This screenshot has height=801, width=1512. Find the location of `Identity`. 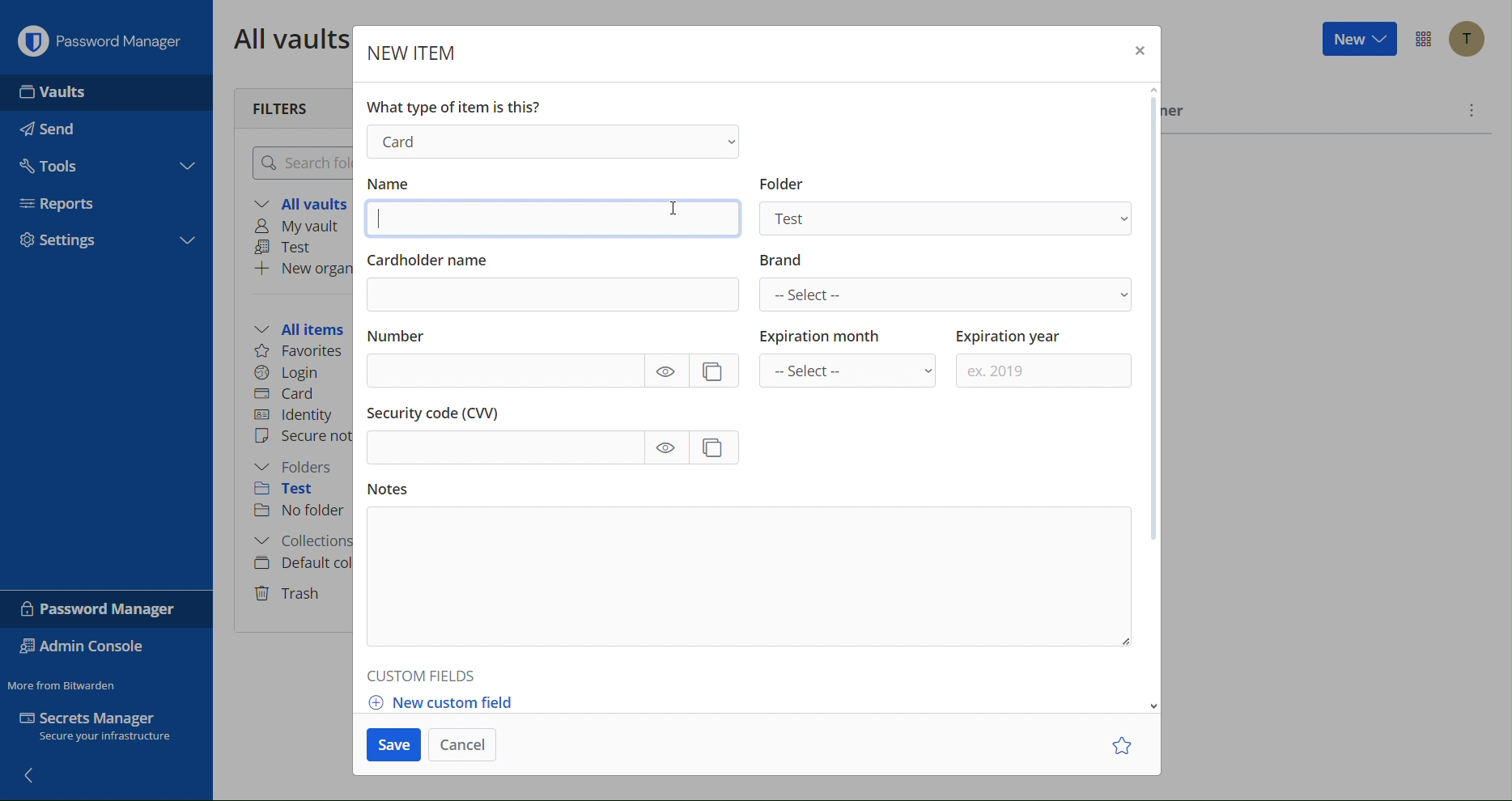

Identity is located at coordinates (295, 415).